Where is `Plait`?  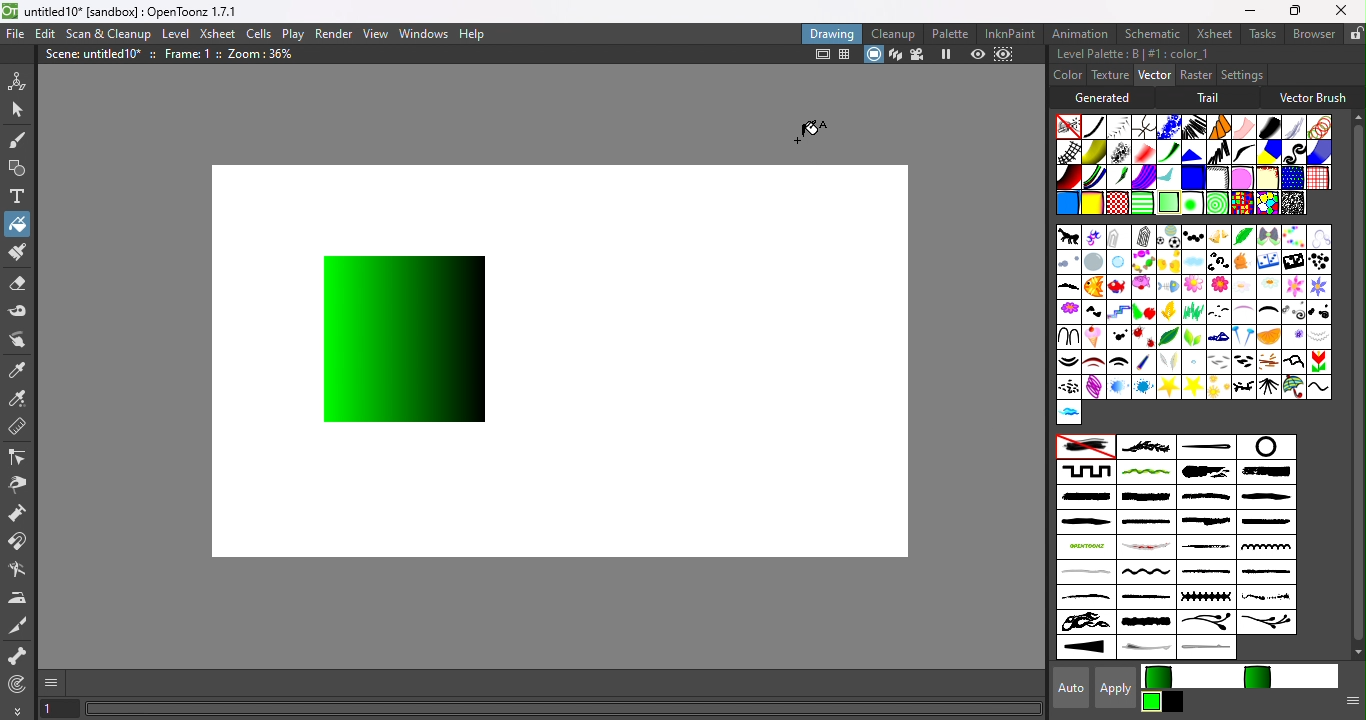 Plait is located at coordinates (1095, 178).